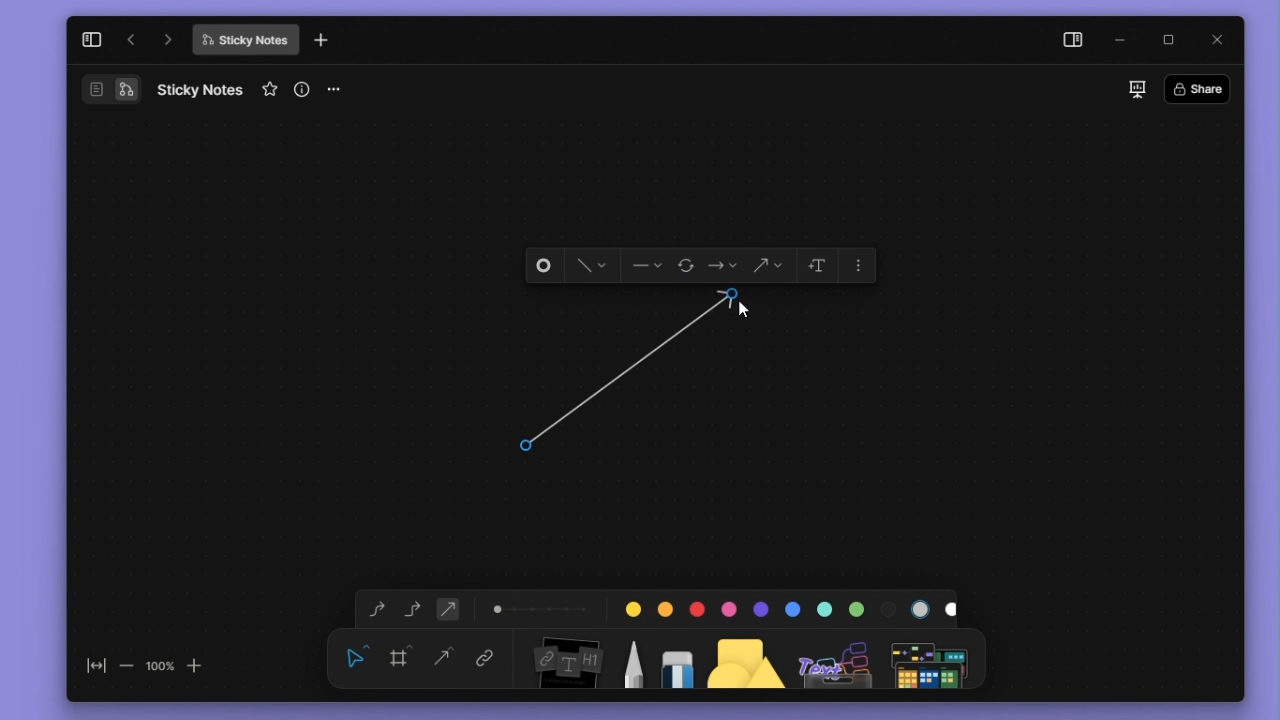 This screenshot has height=720, width=1280. Describe the element at coordinates (272, 90) in the screenshot. I see `favourite` at that location.